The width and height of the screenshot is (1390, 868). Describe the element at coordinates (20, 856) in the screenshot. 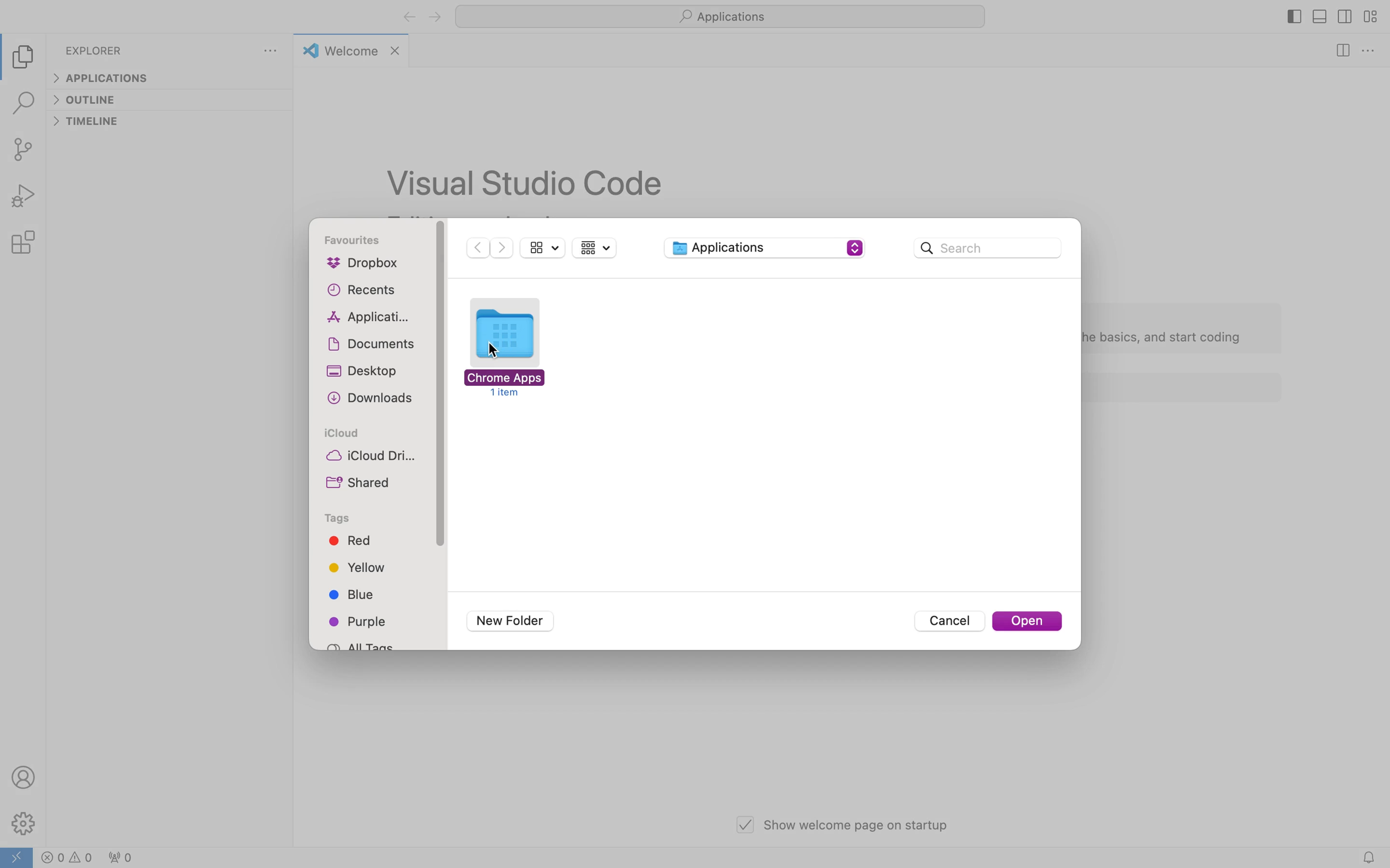

I see `open a remote window` at that location.